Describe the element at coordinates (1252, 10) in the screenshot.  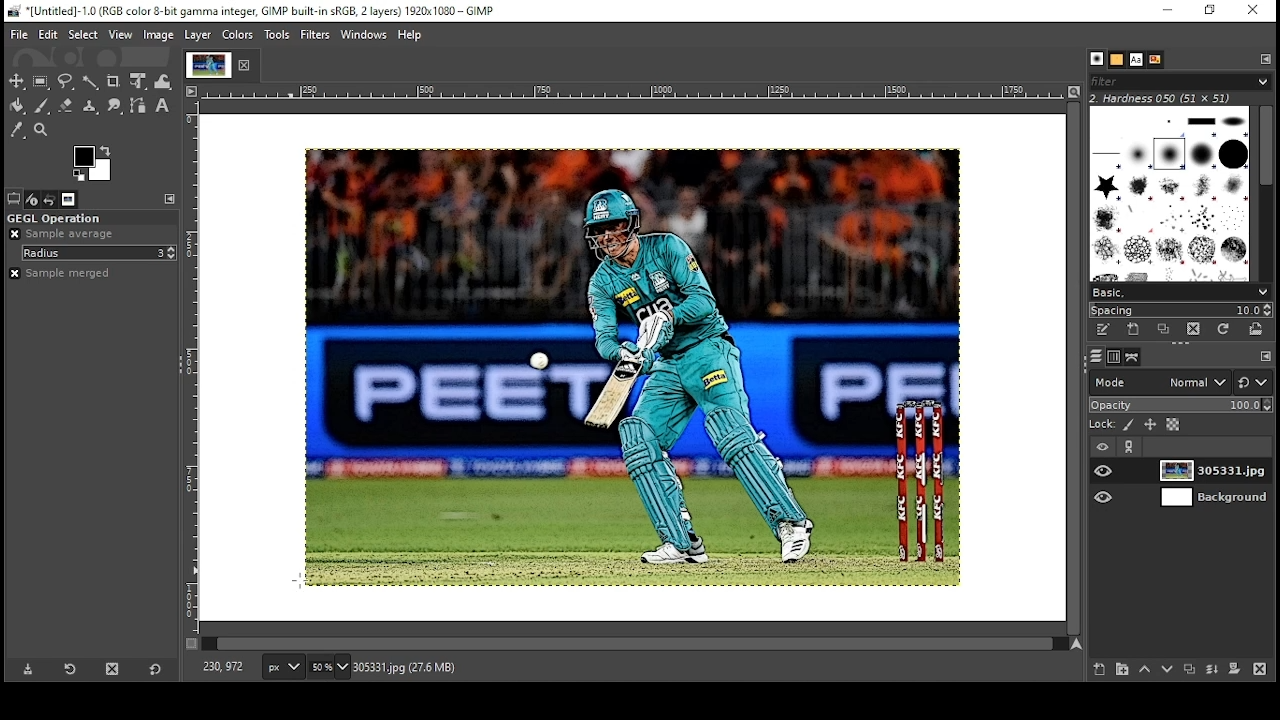
I see `close window` at that location.